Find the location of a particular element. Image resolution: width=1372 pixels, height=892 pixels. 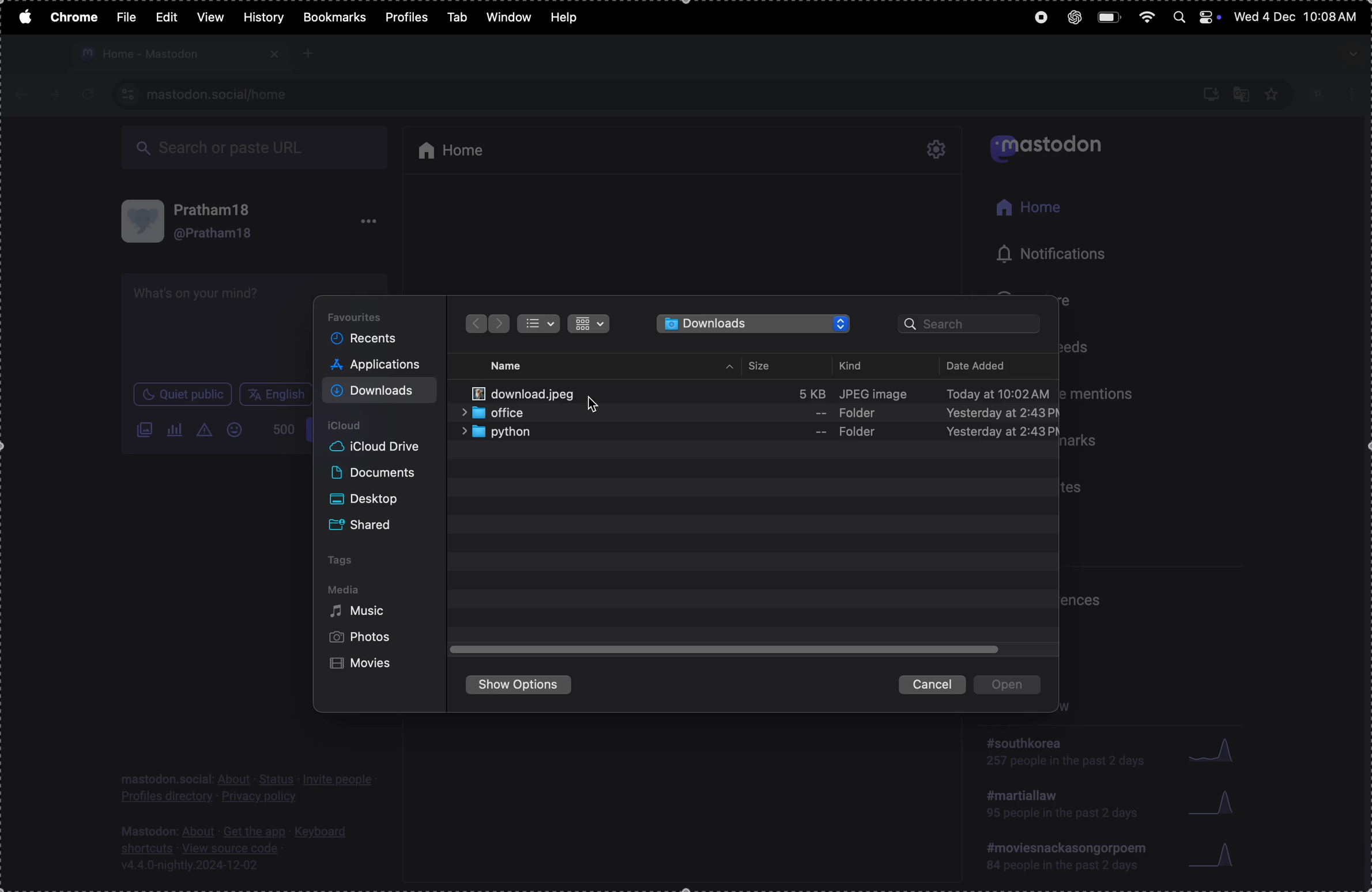

record is located at coordinates (1036, 20).